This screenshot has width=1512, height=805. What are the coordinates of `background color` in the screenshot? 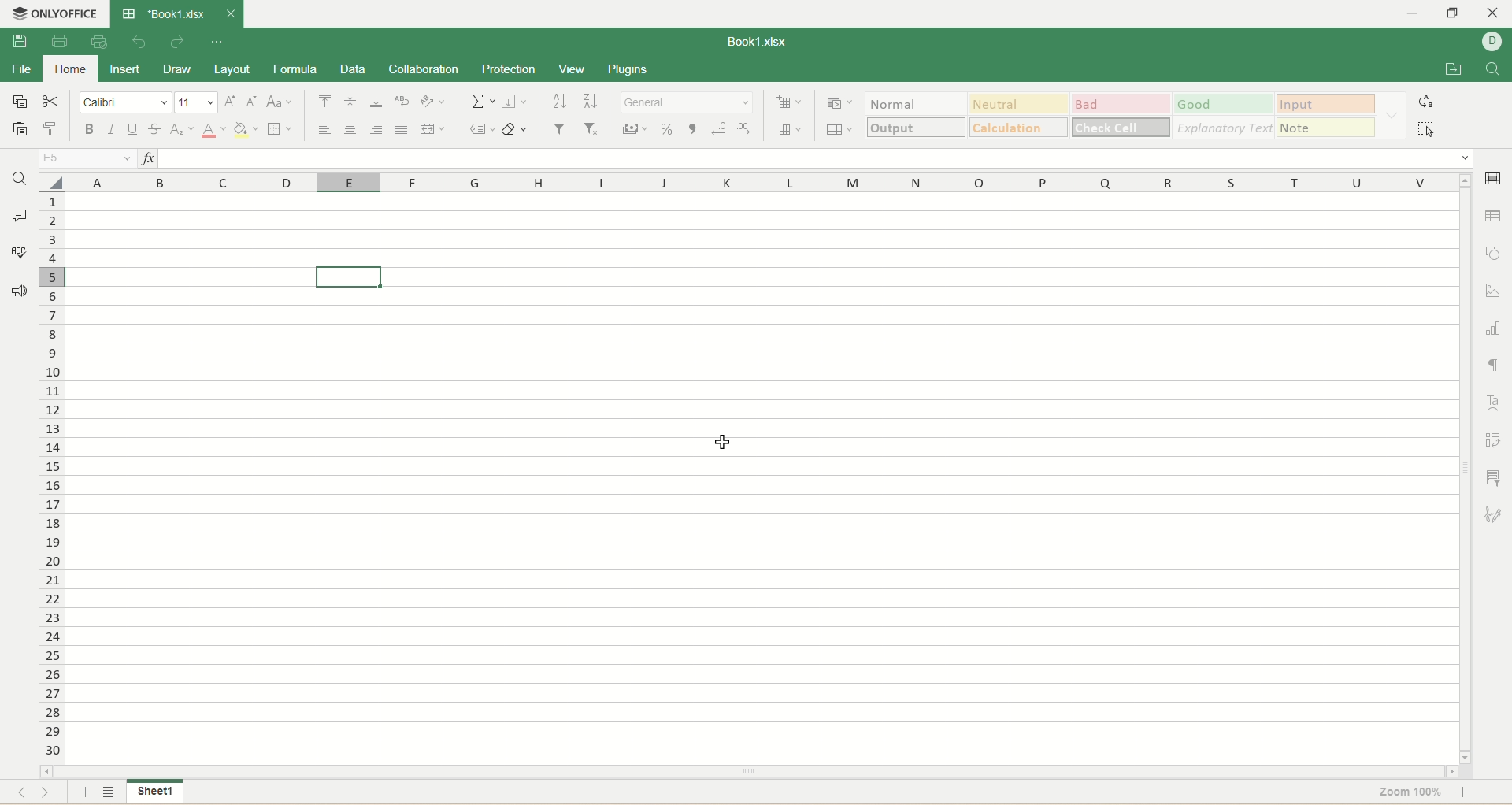 It's located at (246, 130).